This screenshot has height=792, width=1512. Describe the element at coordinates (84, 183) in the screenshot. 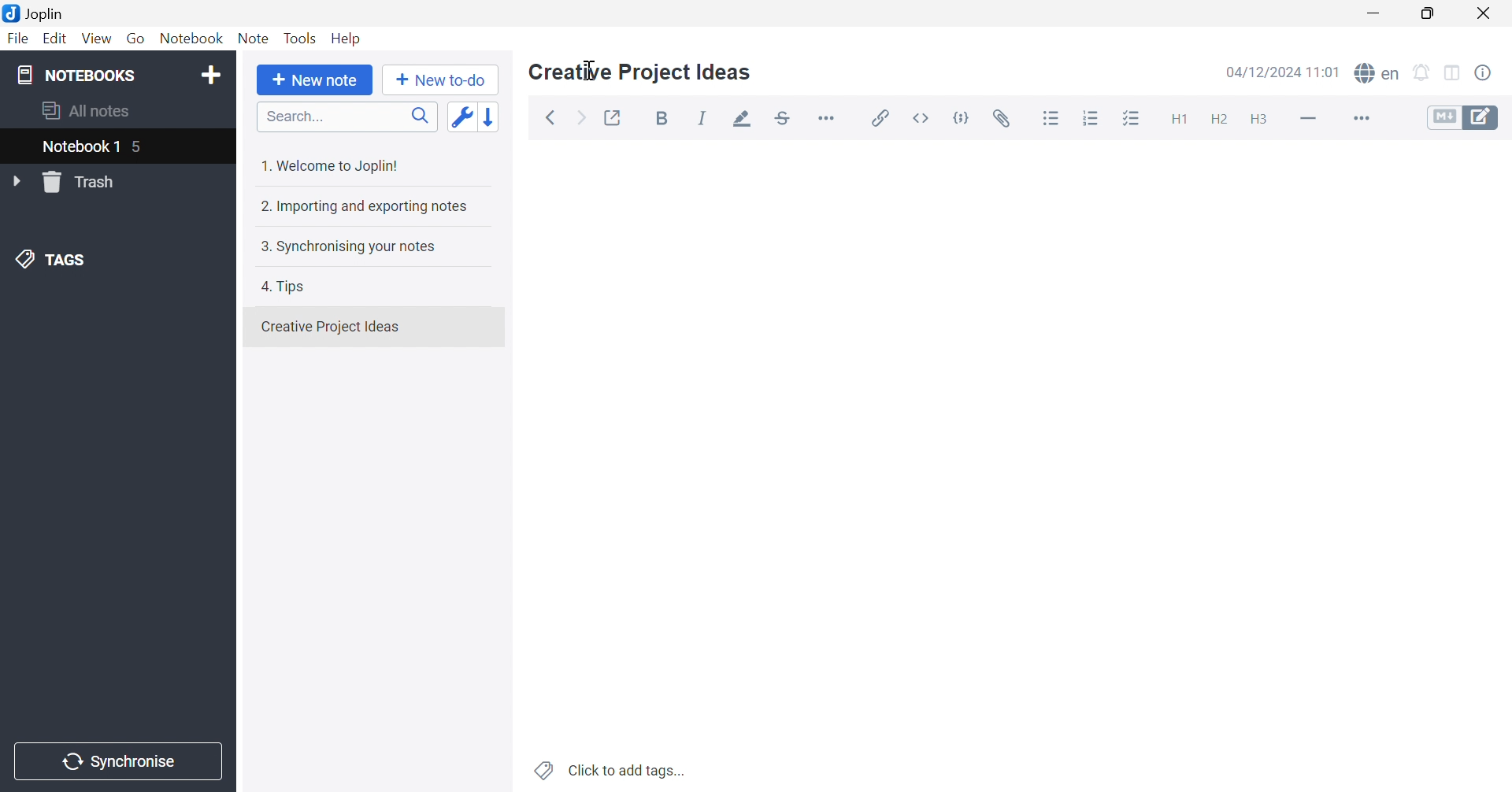

I see `Trash` at that location.